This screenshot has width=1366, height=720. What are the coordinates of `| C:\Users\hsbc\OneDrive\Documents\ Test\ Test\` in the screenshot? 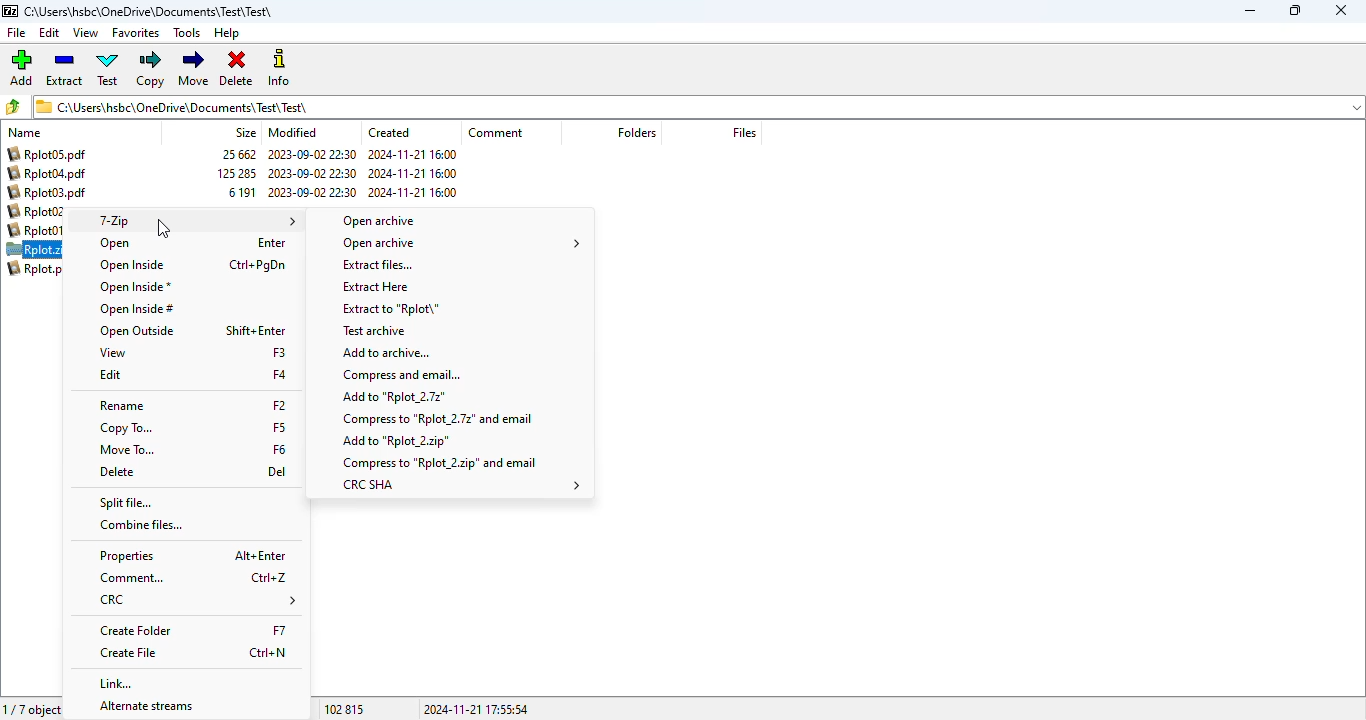 It's located at (177, 106).